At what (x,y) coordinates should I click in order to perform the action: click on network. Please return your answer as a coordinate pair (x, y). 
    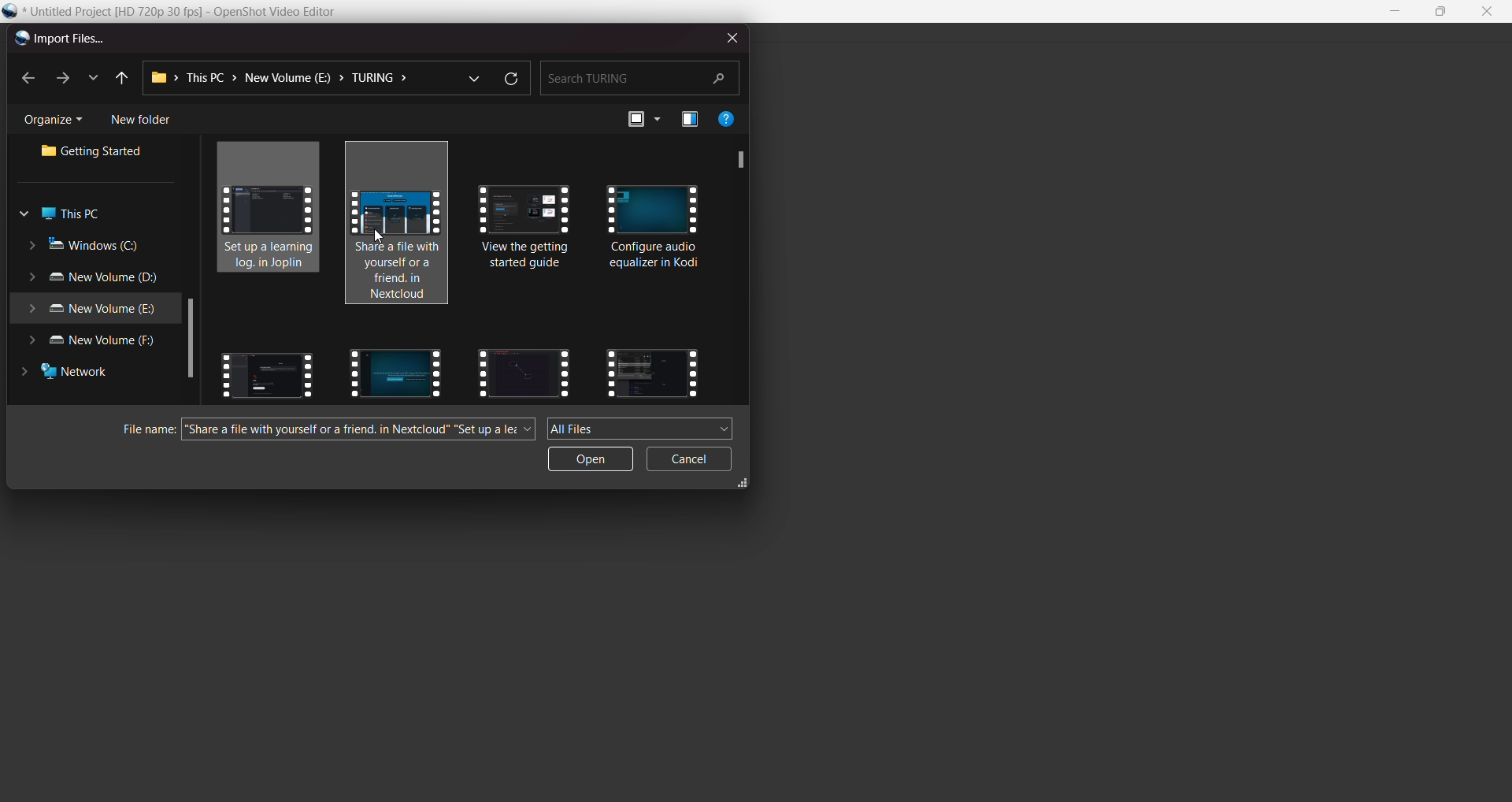
    Looking at the image, I should click on (72, 375).